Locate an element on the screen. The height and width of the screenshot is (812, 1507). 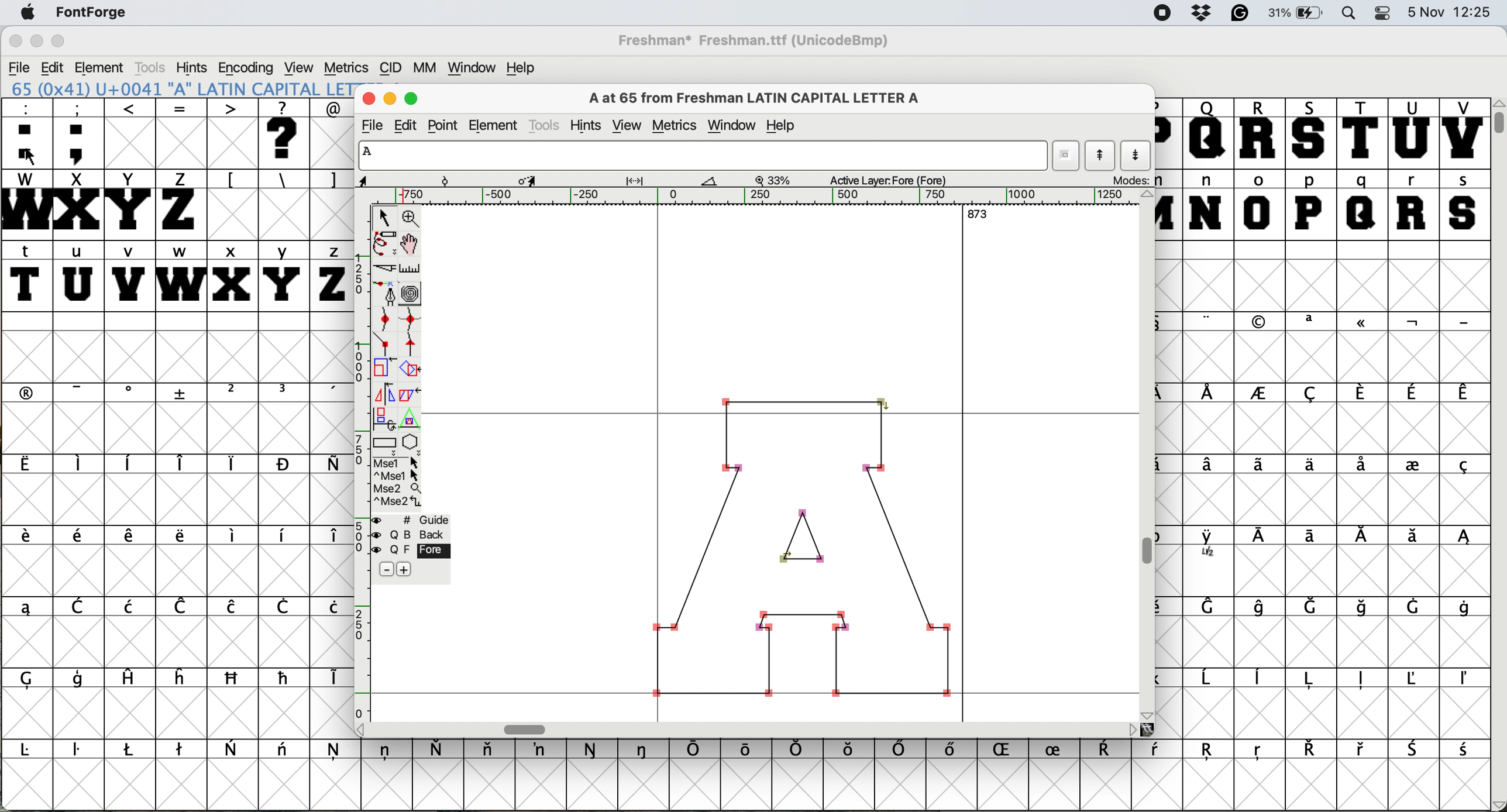
symbol is located at coordinates (232, 608).